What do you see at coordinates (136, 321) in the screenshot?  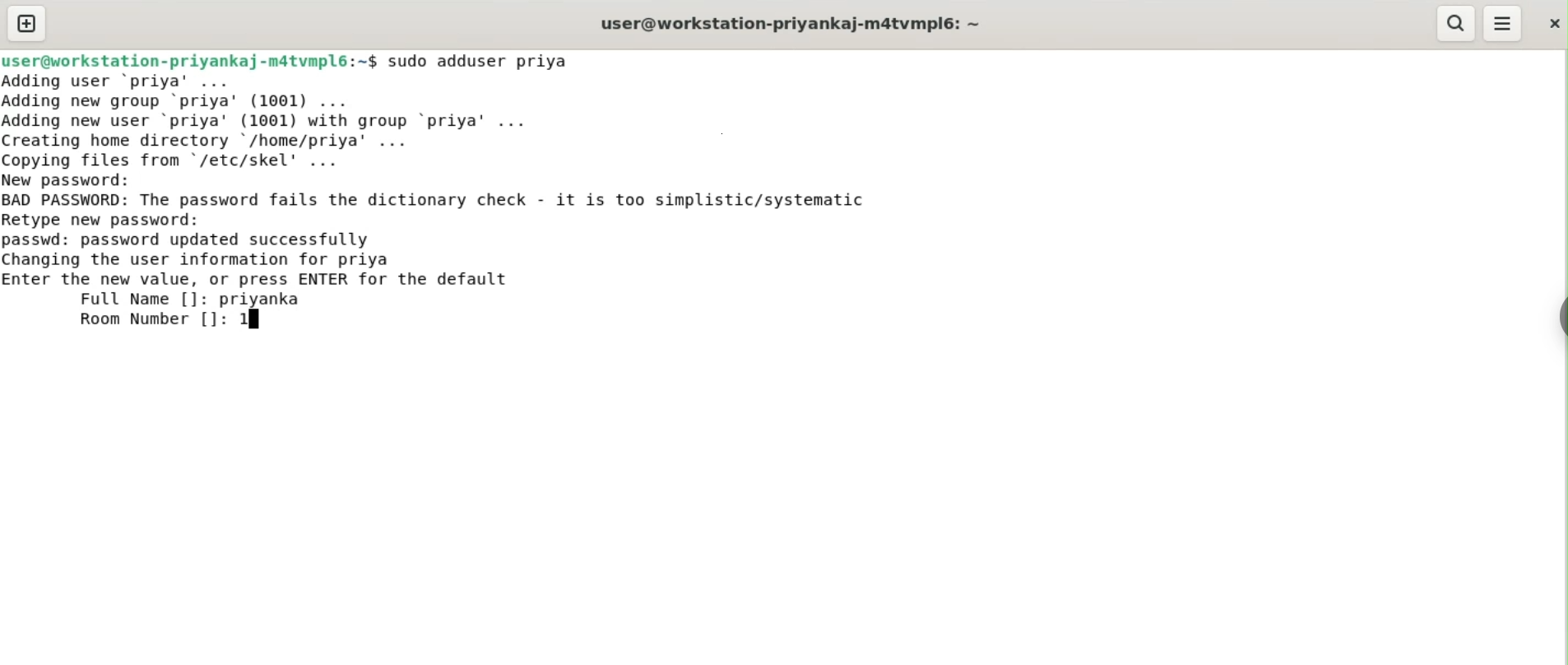 I see `room number` at bounding box center [136, 321].